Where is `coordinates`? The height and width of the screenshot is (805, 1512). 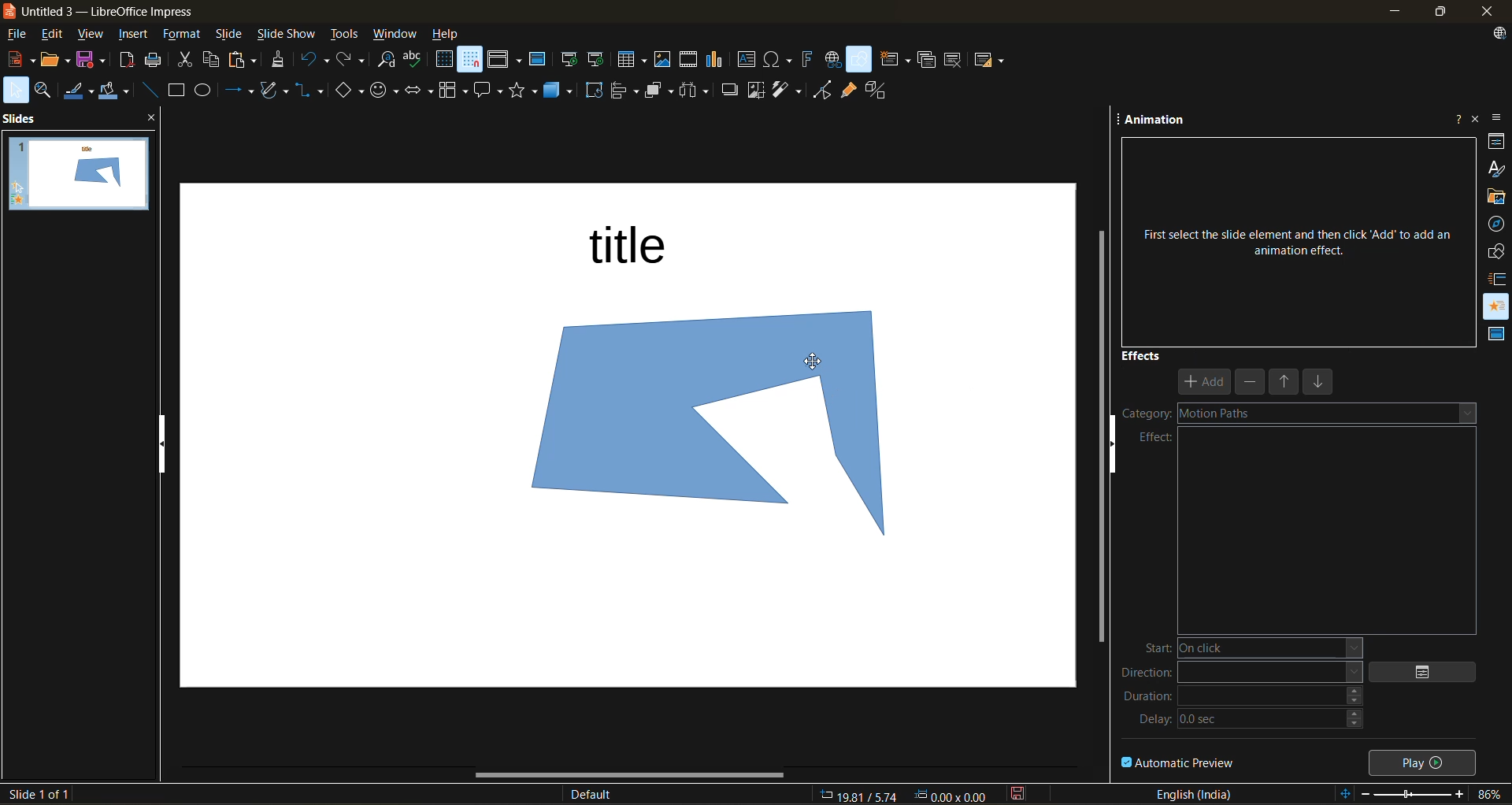 coordinates is located at coordinates (906, 793).